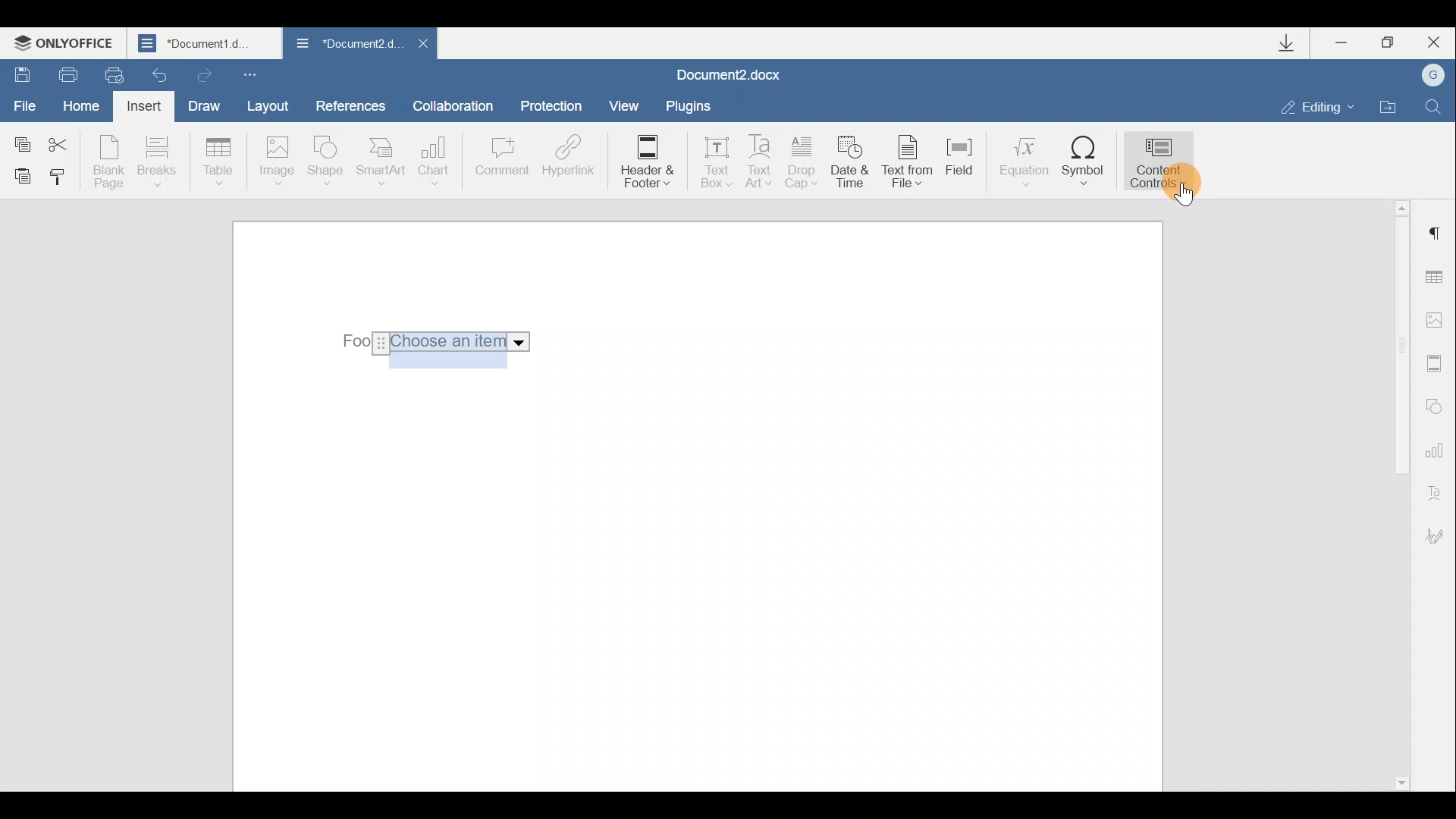  What do you see at coordinates (1084, 160) in the screenshot?
I see `Symbol` at bounding box center [1084, 160].